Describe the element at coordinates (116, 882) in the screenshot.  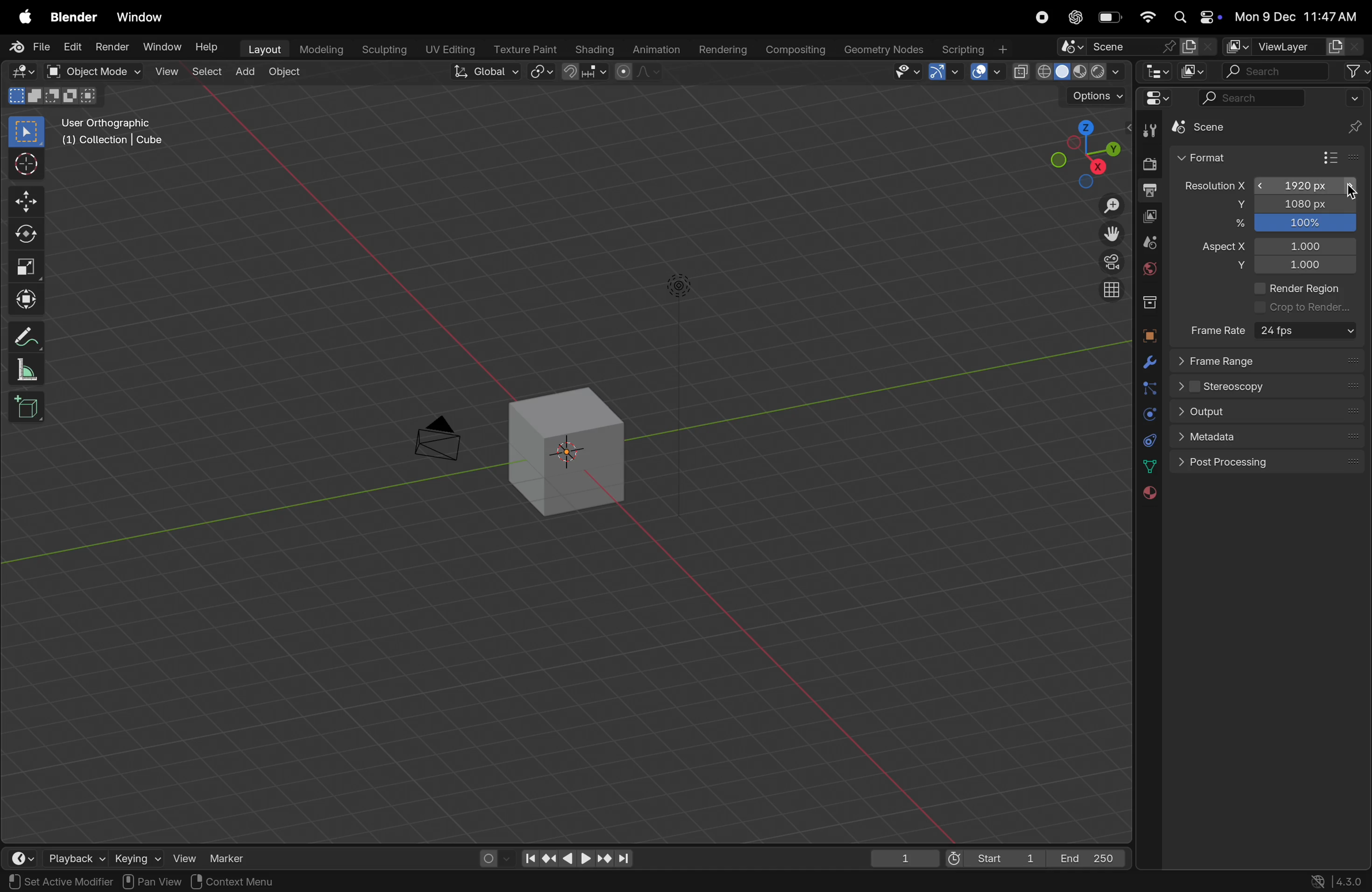
I see `region` at that location.